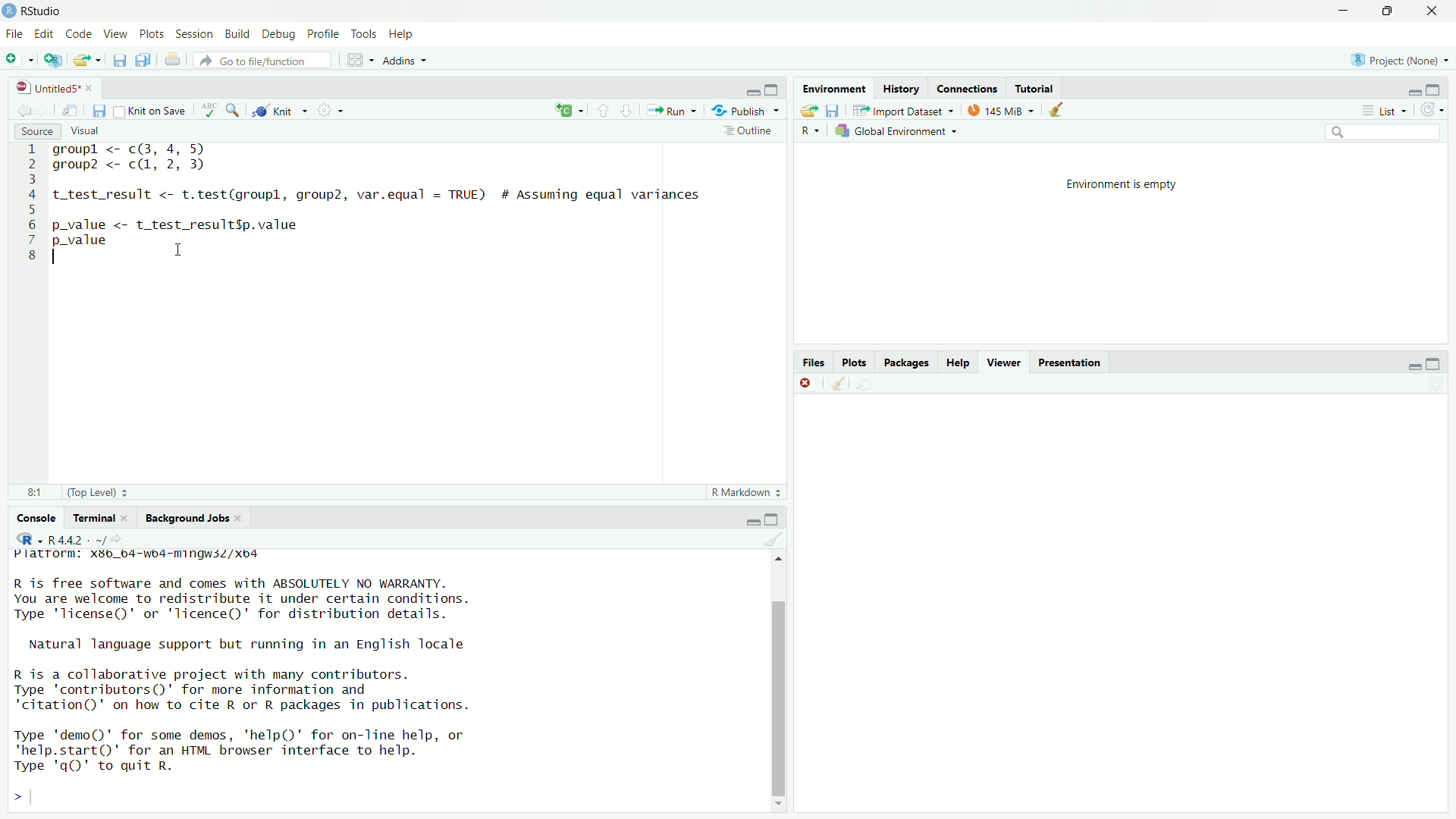 The width and height of the screenshot is (1456, 819). What do you see at coordinates (54, 86) in the screenshot?
I see ` Untitled` at bounding box center [54, 86].